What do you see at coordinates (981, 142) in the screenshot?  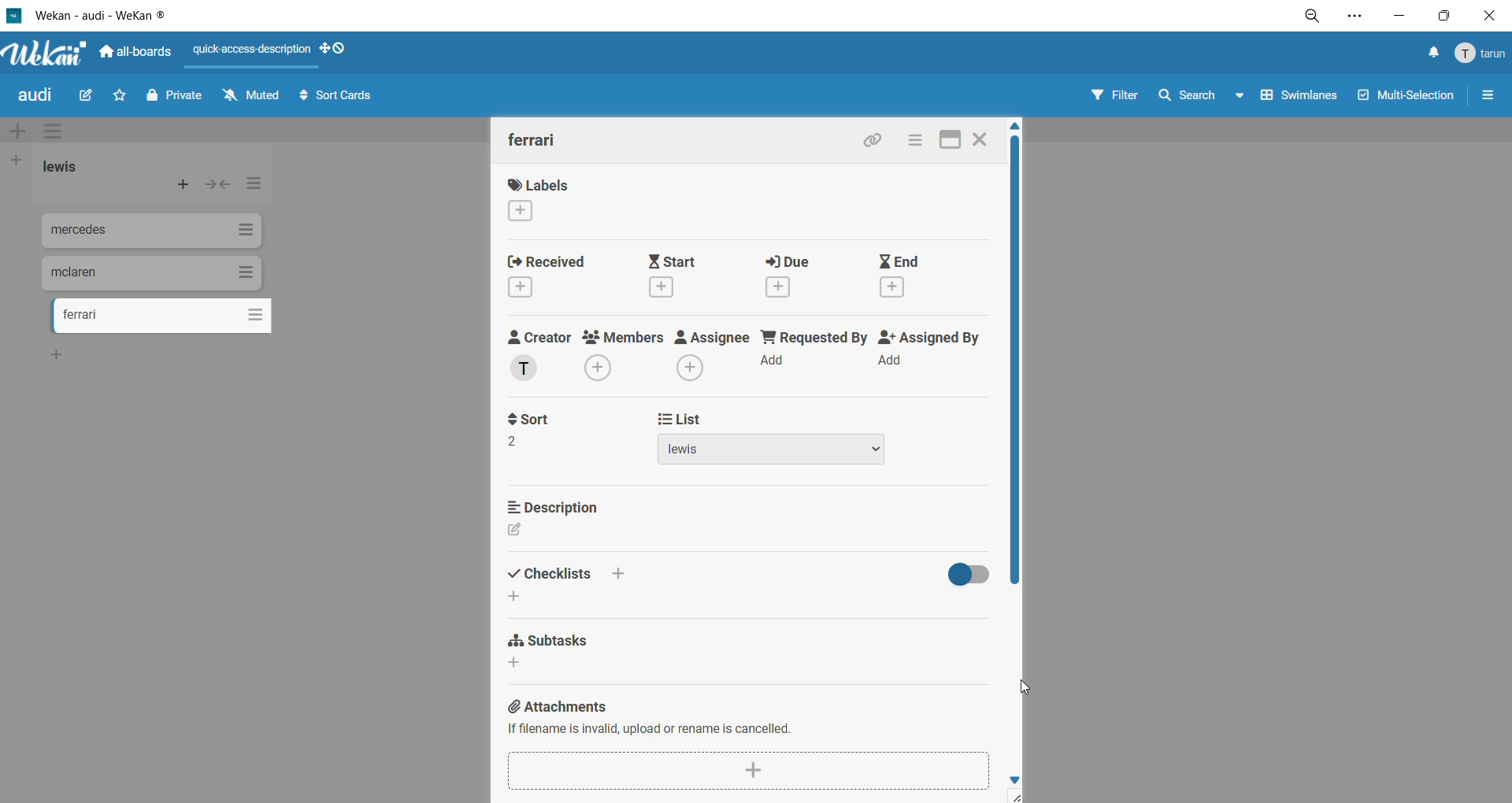 I see `close` at bounding box center [981, 142].